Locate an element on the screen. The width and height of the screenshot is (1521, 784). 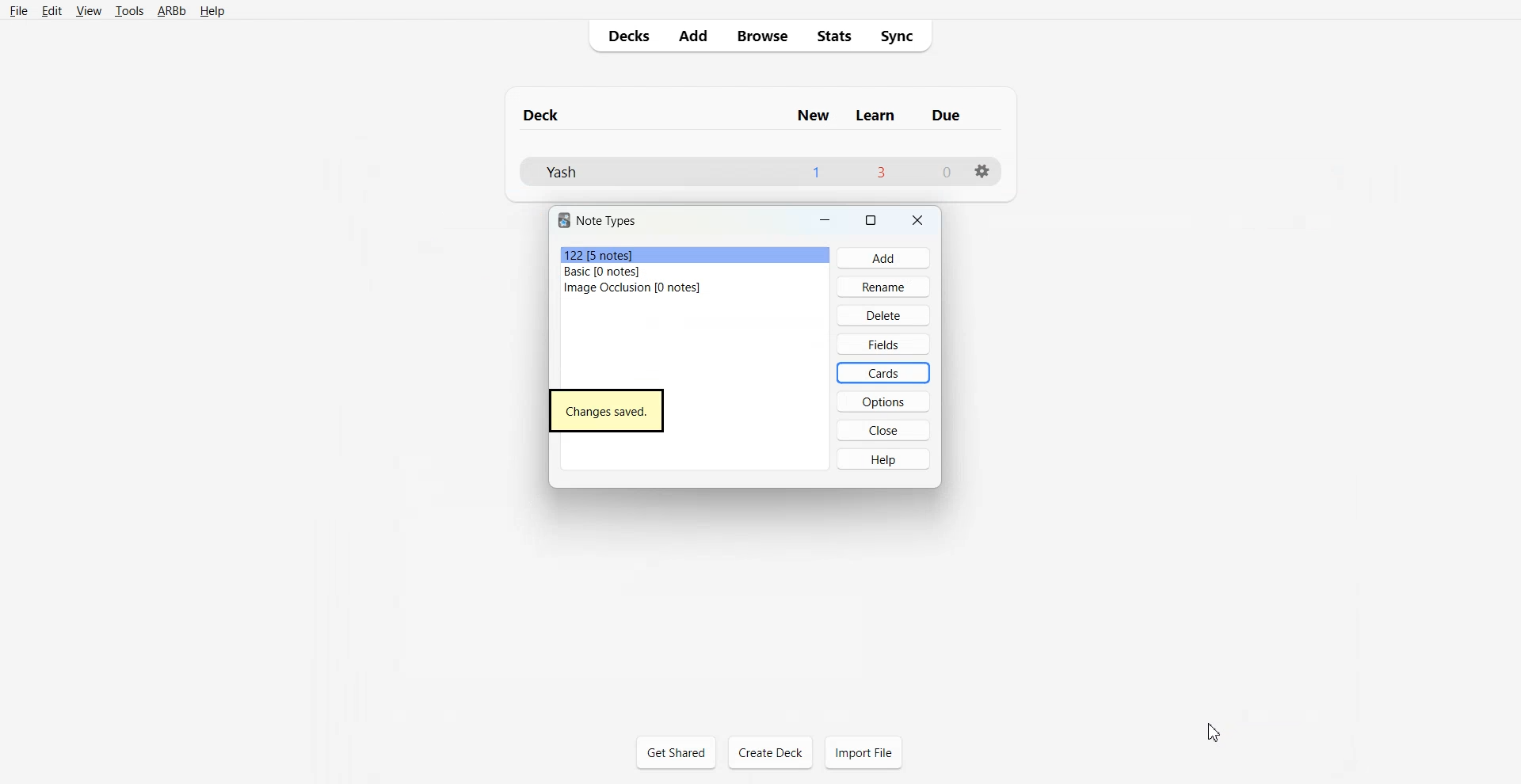
rename is located at coordinates (888, 285).